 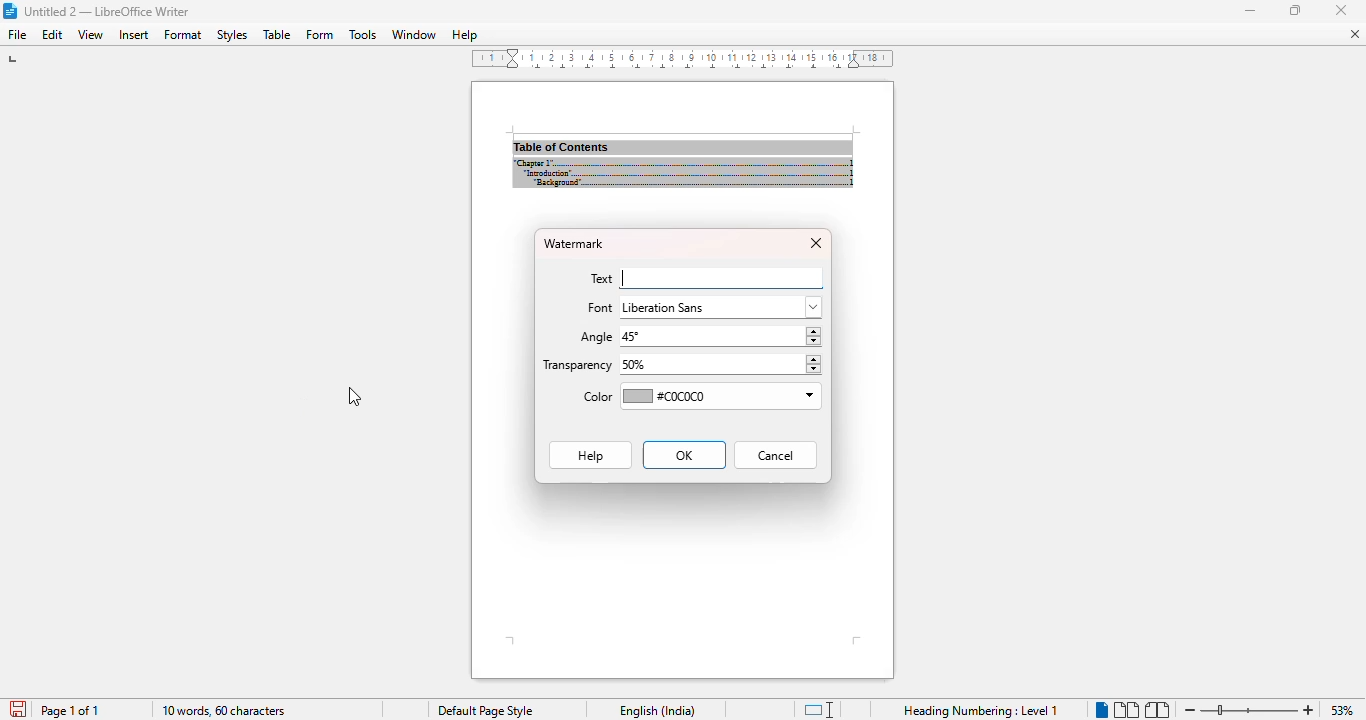 What do you see at coordinates (19, 709) in the screenshot?
I see `click to save document` at bounding box center [19, 709].